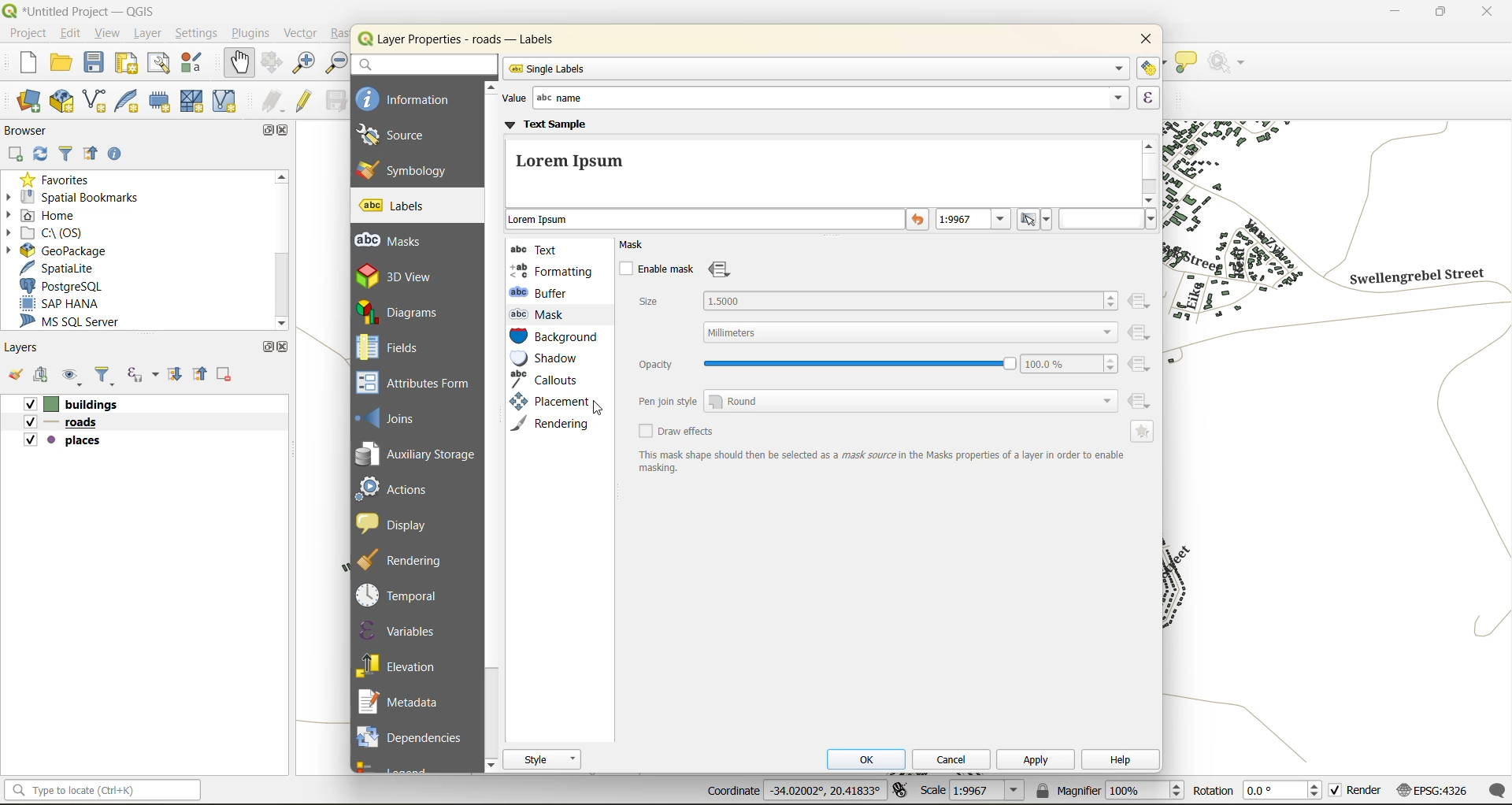 The width and height of the screenshot is (1512, 805). What do you see at coordinates (80, 10) in the screenshot?
I see `file name and app name` at bounding box center [80, 10].